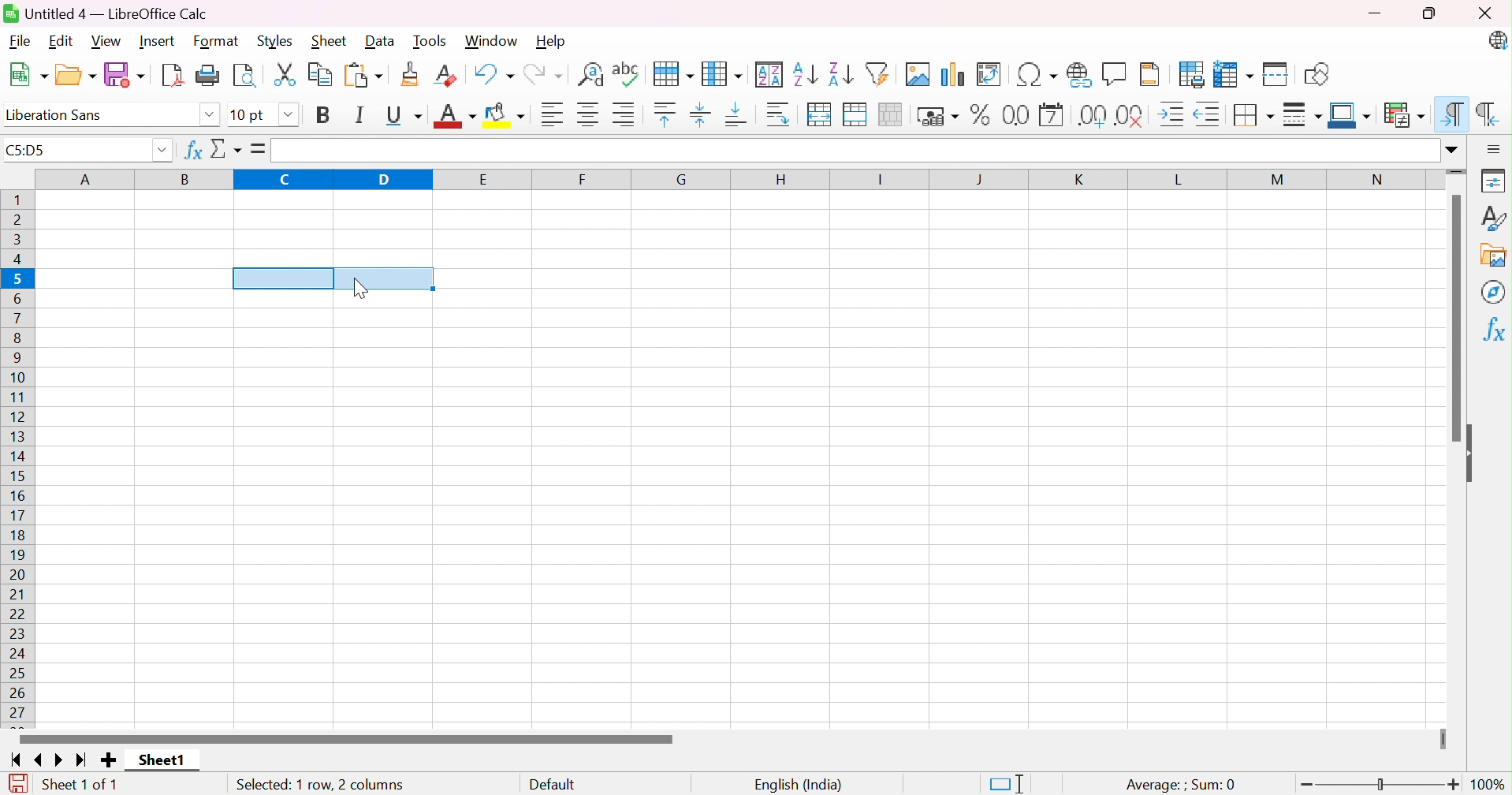 Image resolution: width=1512 pixels, height=795 pixels. What do you see at coordinates (58, 114) in the screenshot?
I see `Liberation Sans` at bounding box center [58, 114].